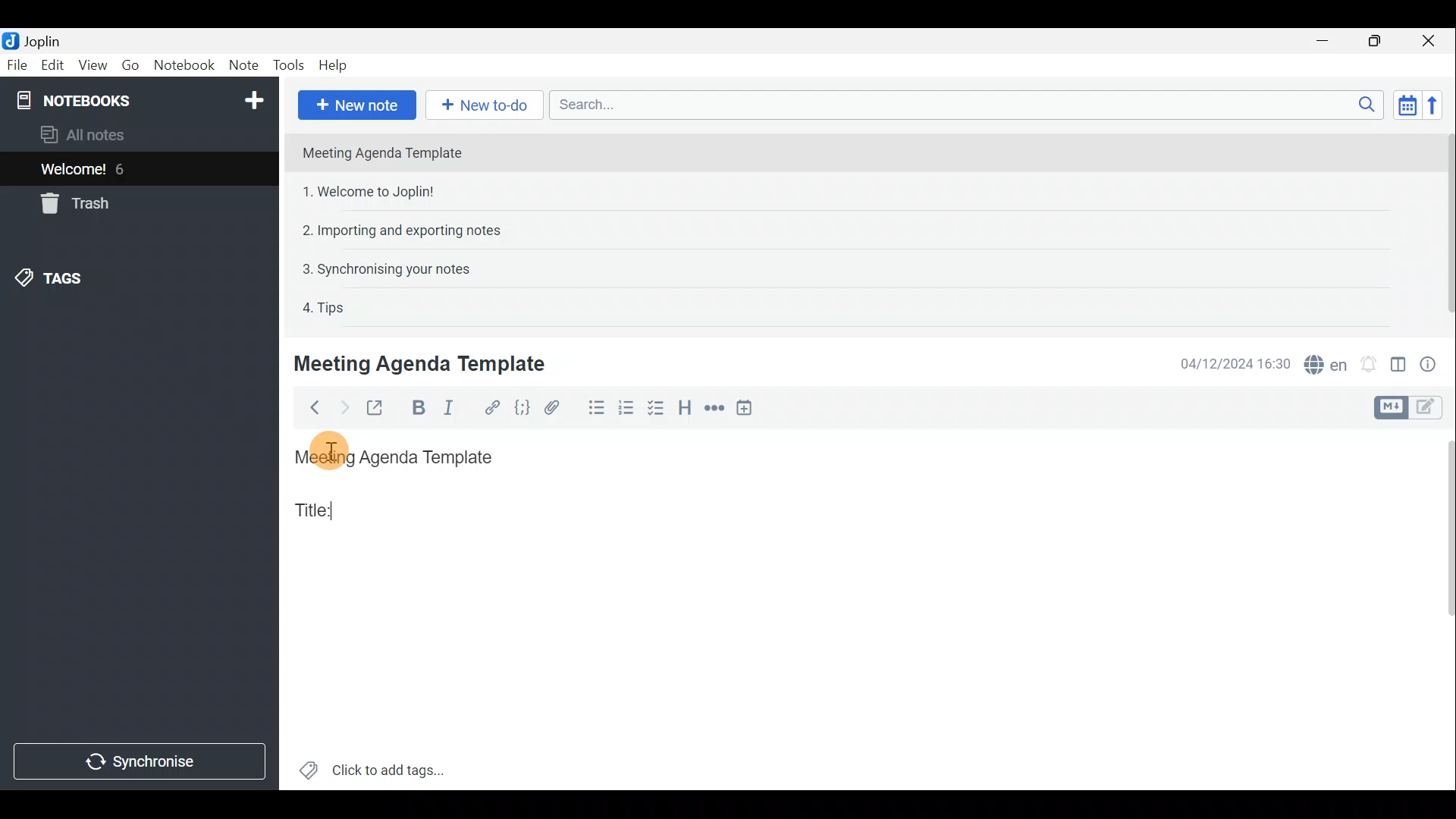 This screenshot has height=819, width=1456. What do you see at coordinates (407, 231) in the screenshot?
I see `2. Importing and exporting notes` at bounding box center [407, 231].